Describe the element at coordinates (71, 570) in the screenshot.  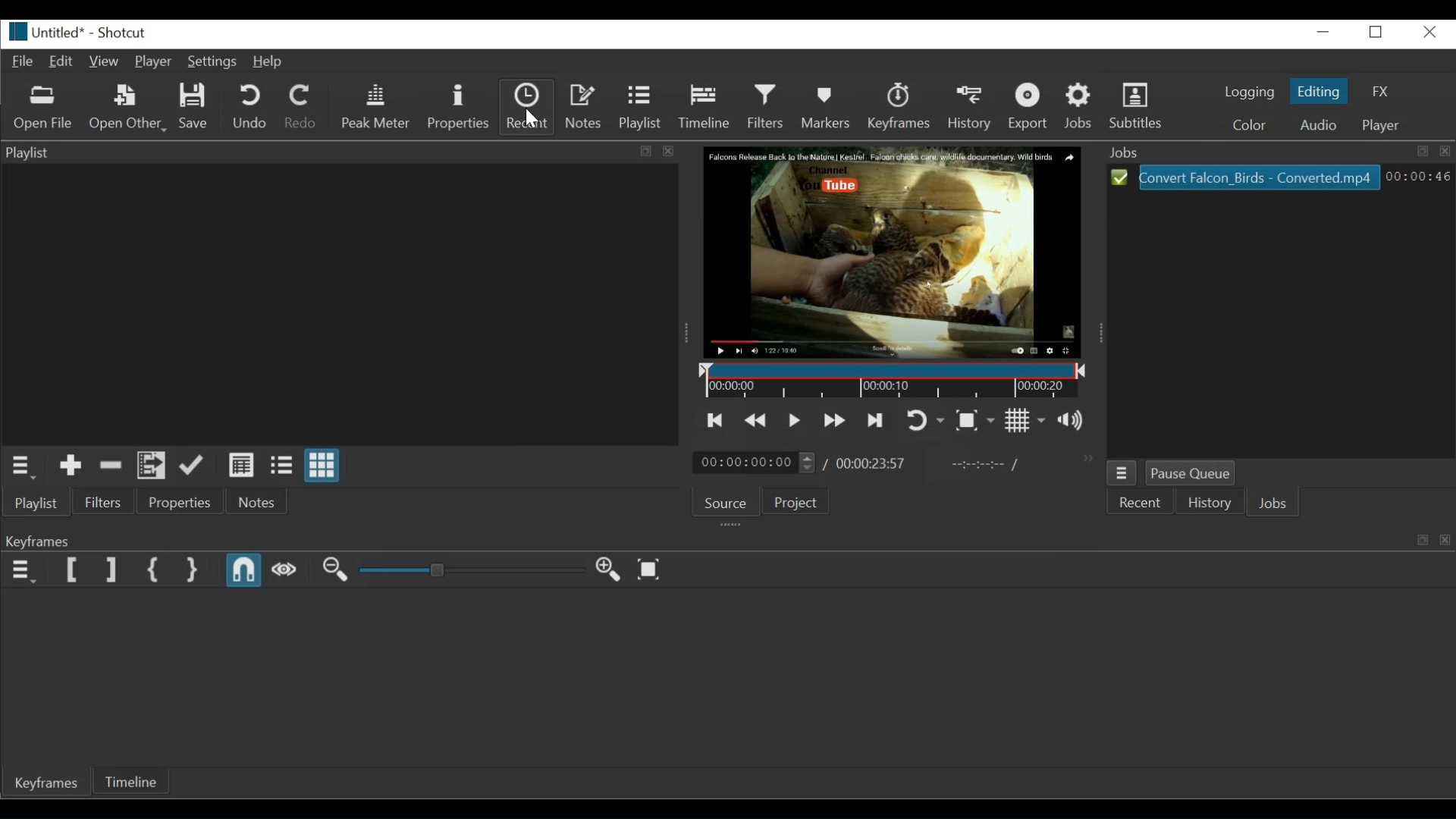
I see `Set Filter Start` at that location.